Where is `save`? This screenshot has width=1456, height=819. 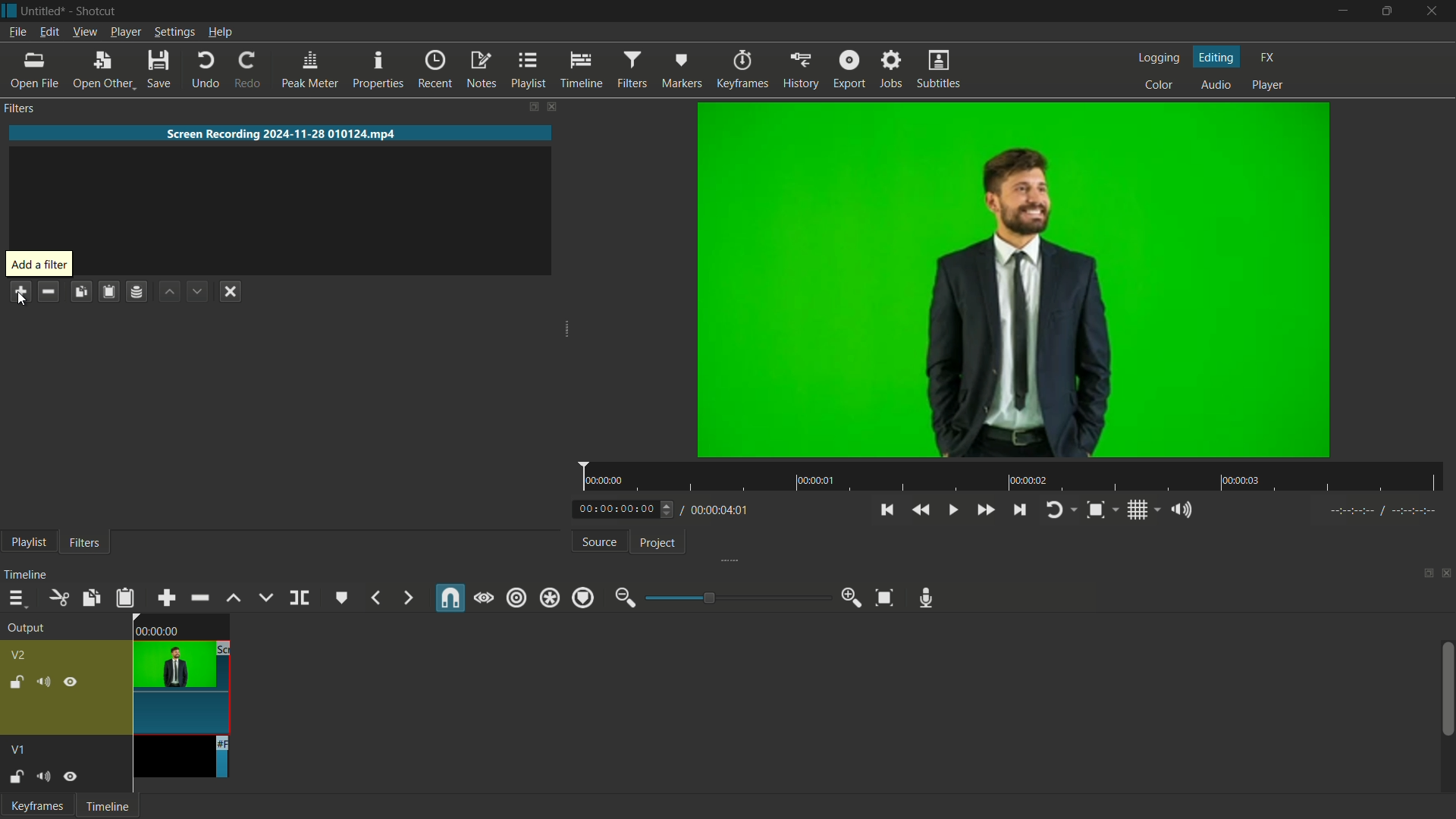
save is located at coordinates (158, 68).